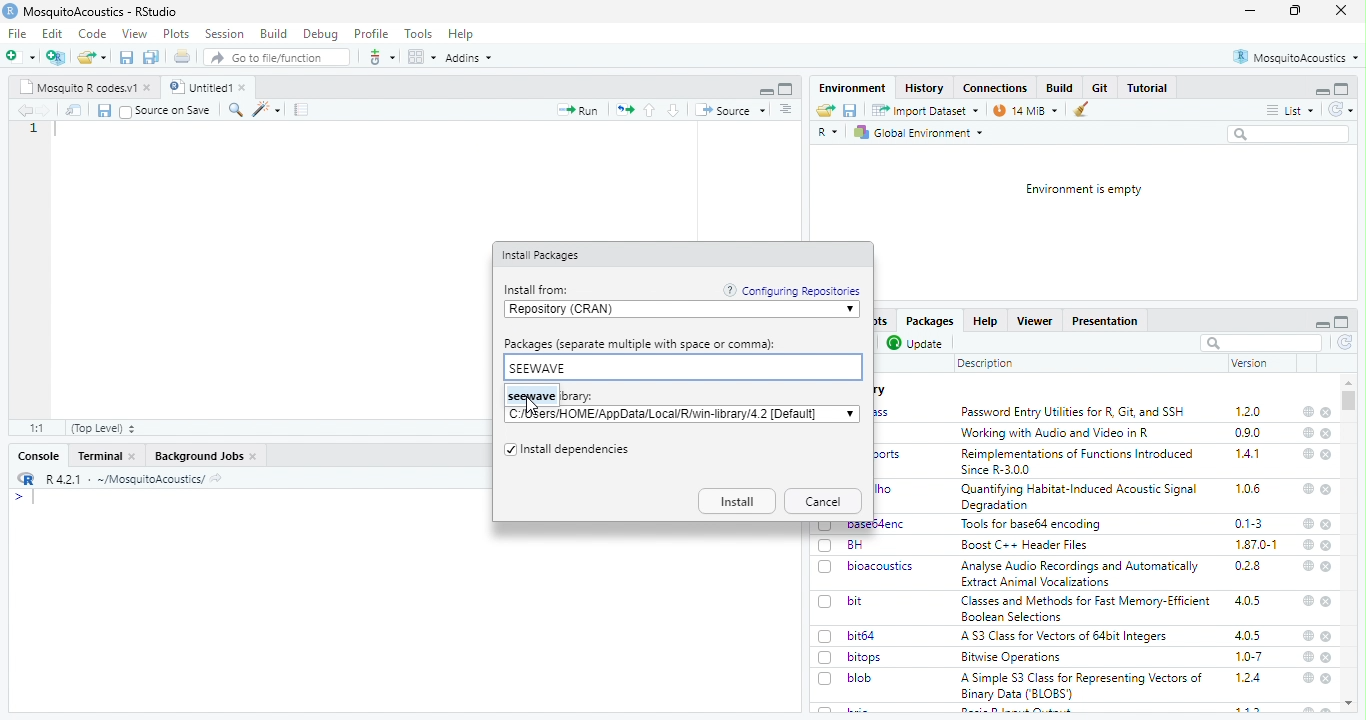 The width and height of the screenshot is (1366, 720). I want to click on web, so click(1309, 412).